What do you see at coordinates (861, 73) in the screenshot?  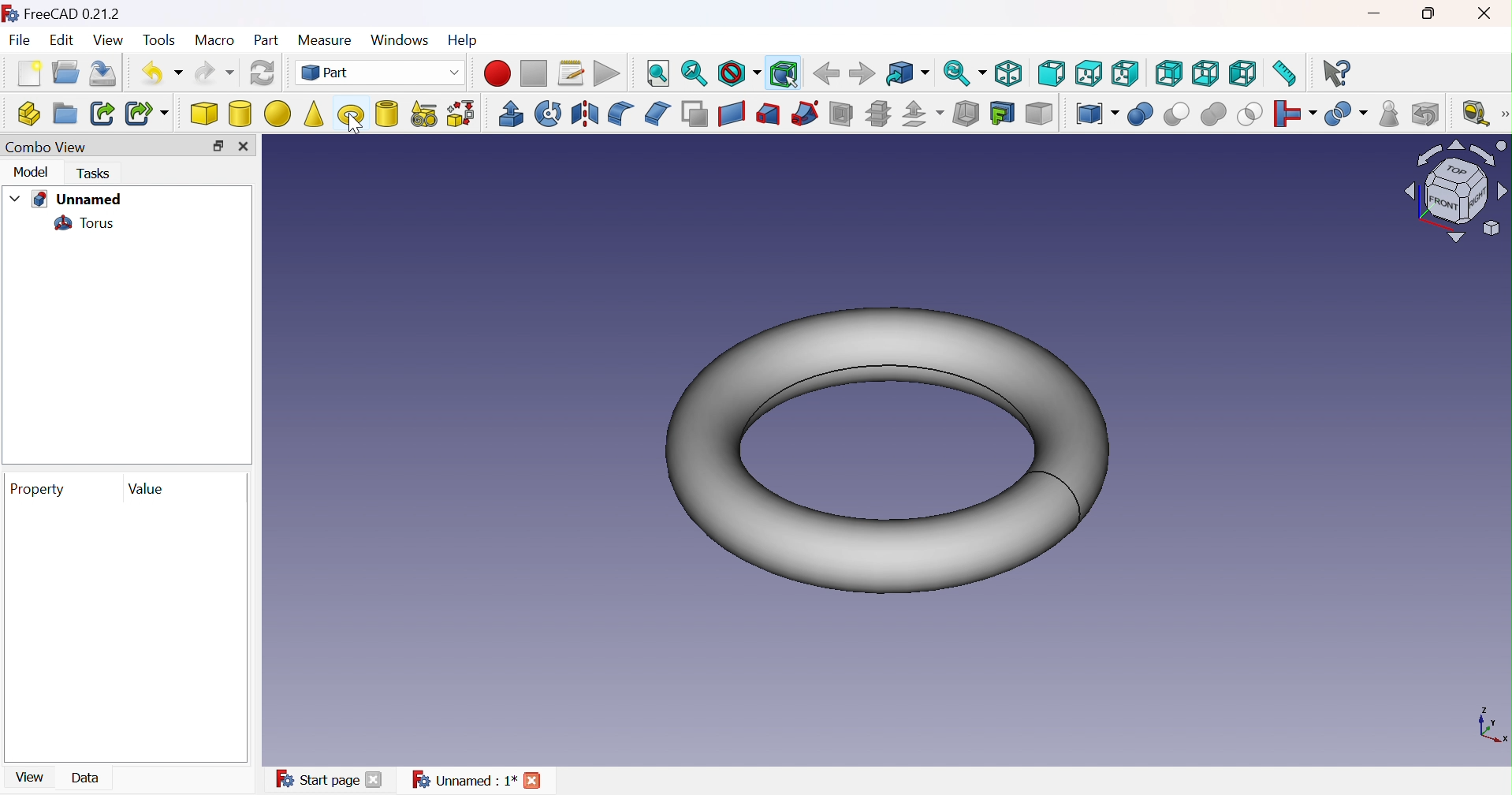 I see `Forward` at bounding box center [861, 73].